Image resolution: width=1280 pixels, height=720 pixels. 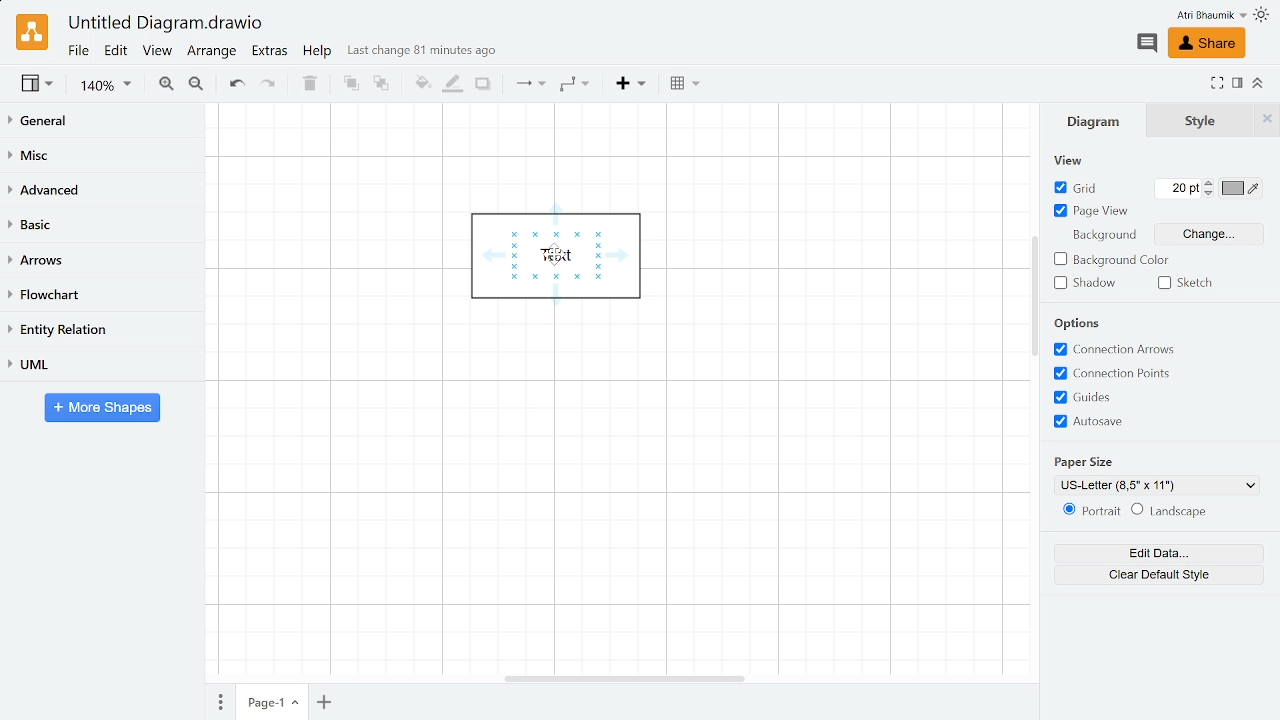 What do you see at coordinates (1151, 578) in the screenshot?
I see `Clear default style` at bounding box center [1151, 578].